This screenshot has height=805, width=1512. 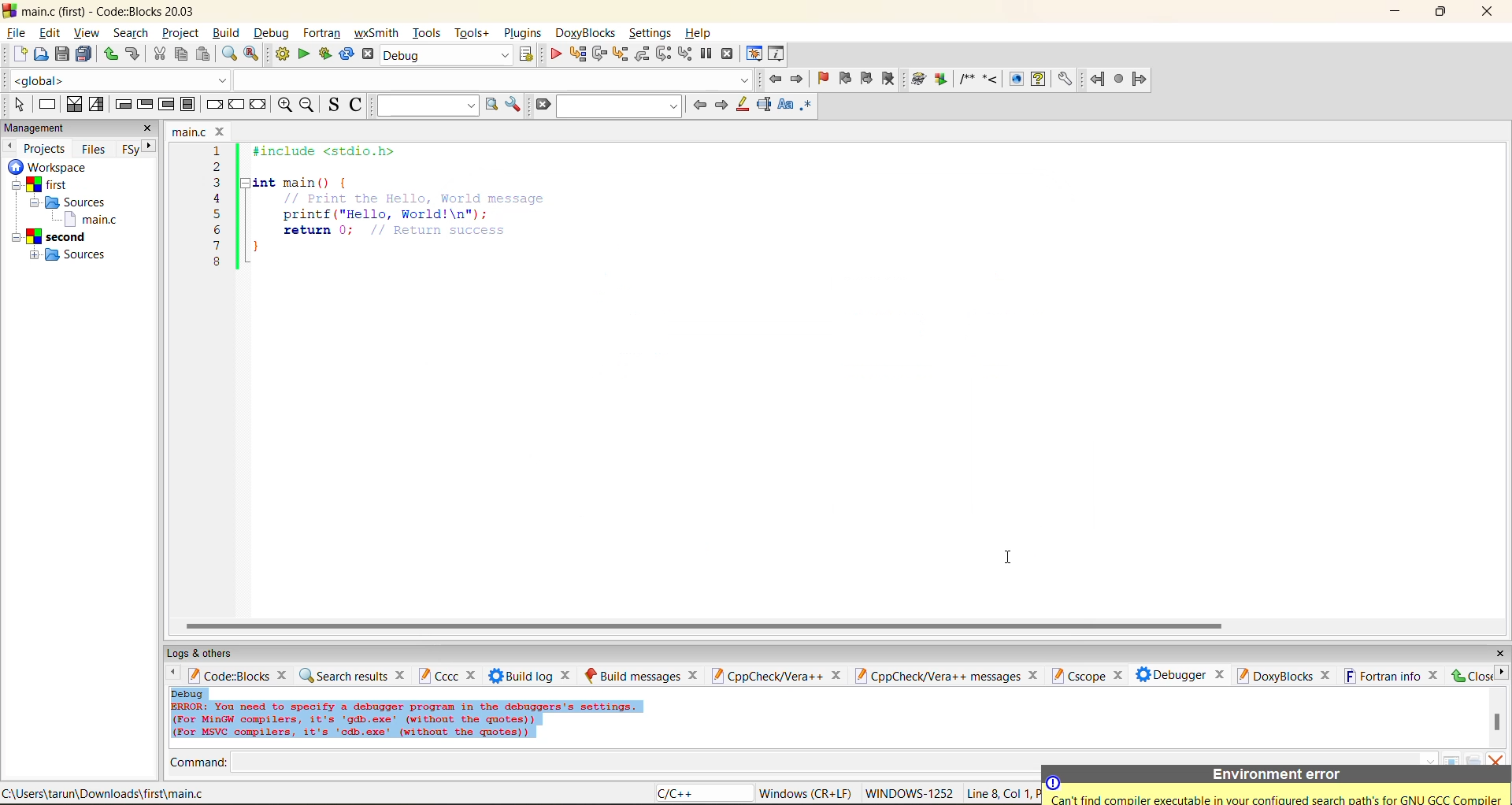 What do you see at coordinates (1452, 759) in the screenshot?
I see `tables` at bounding box center [1452, 759].